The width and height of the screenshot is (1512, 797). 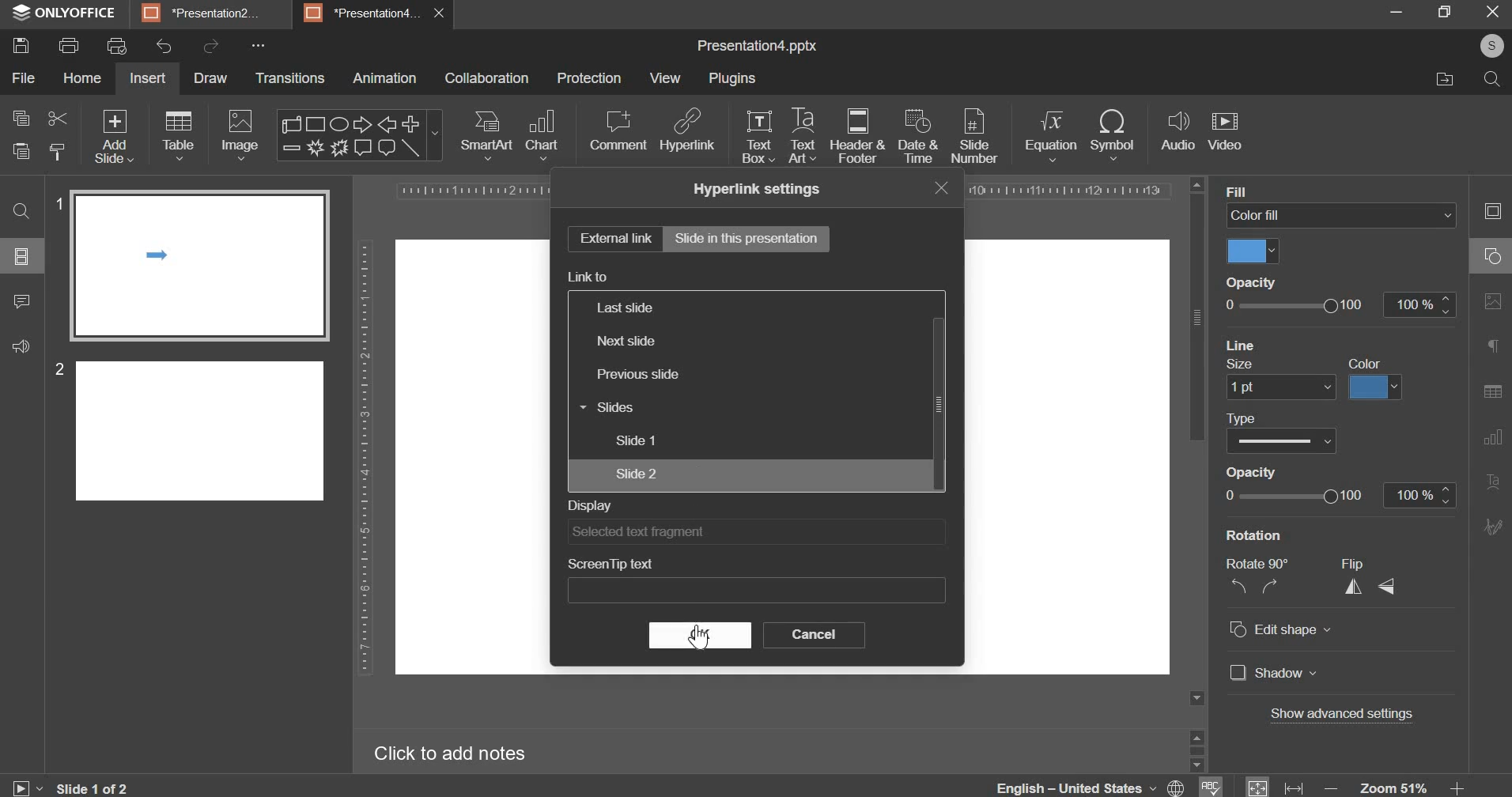 I want to click on search, so click(x=1487, y=77).